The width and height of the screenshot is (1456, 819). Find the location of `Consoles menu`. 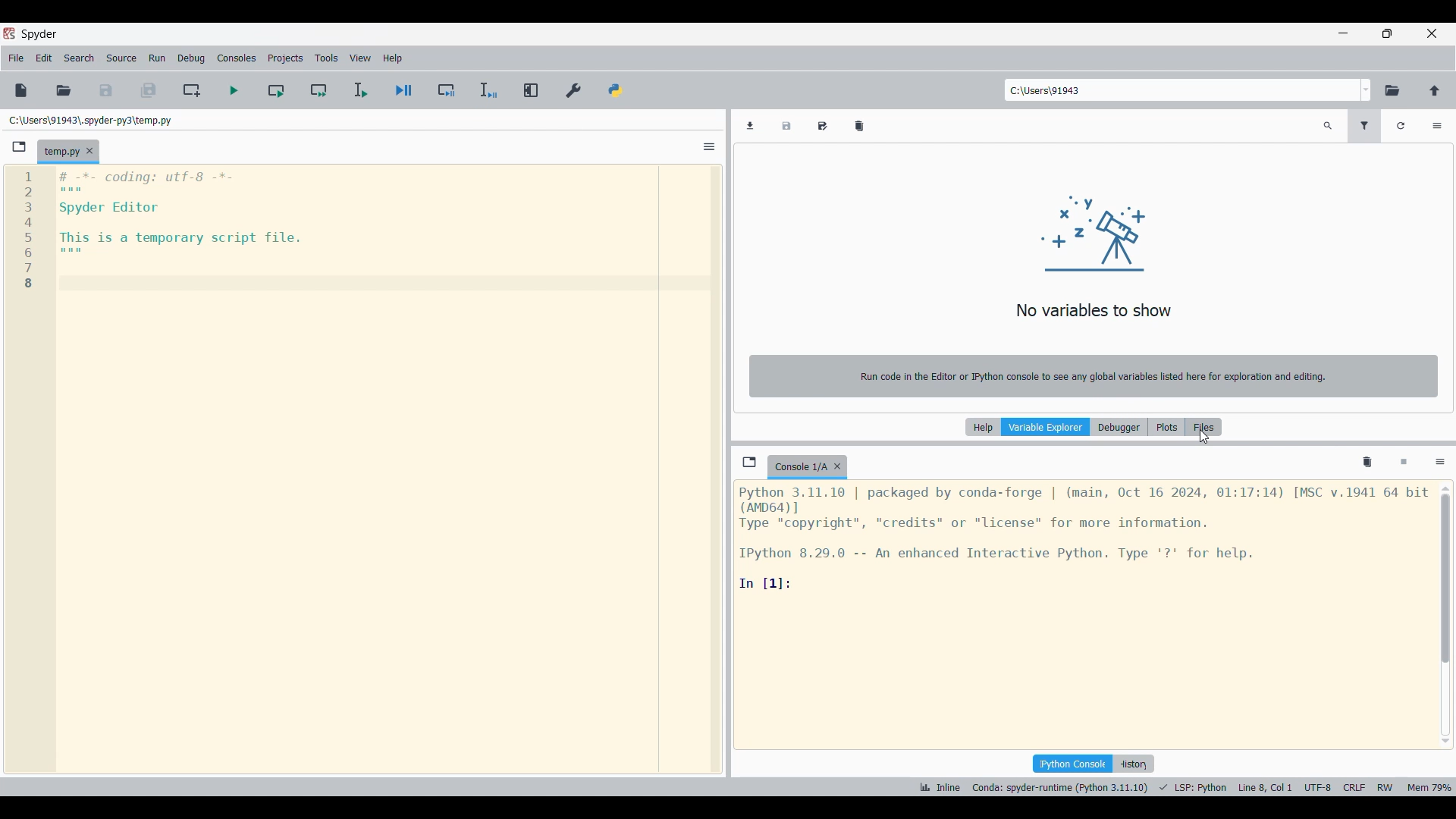

Consoles menu is located at coordinates (236, 58).